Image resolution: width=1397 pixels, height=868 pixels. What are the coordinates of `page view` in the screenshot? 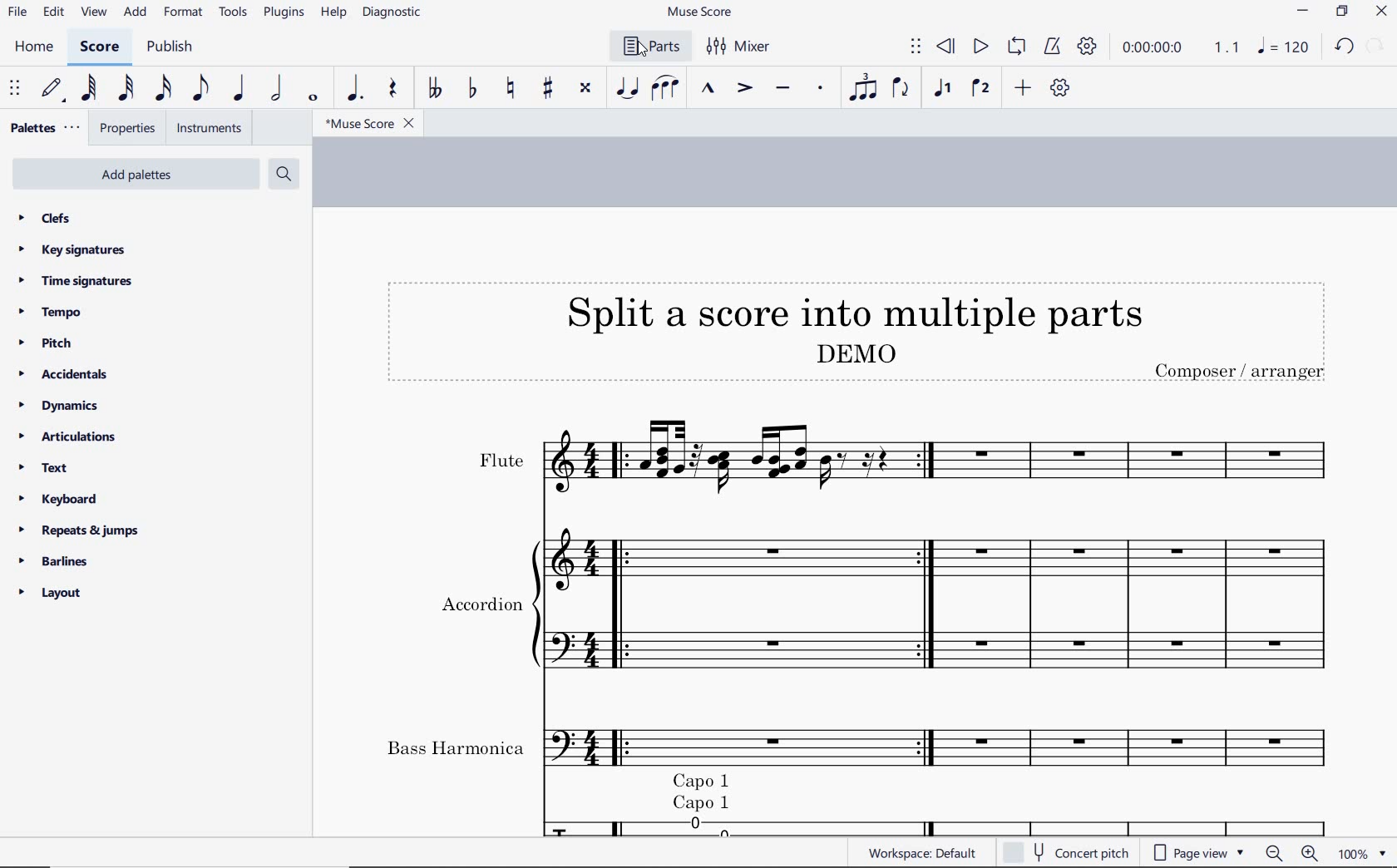 It's located at (1197, 854).